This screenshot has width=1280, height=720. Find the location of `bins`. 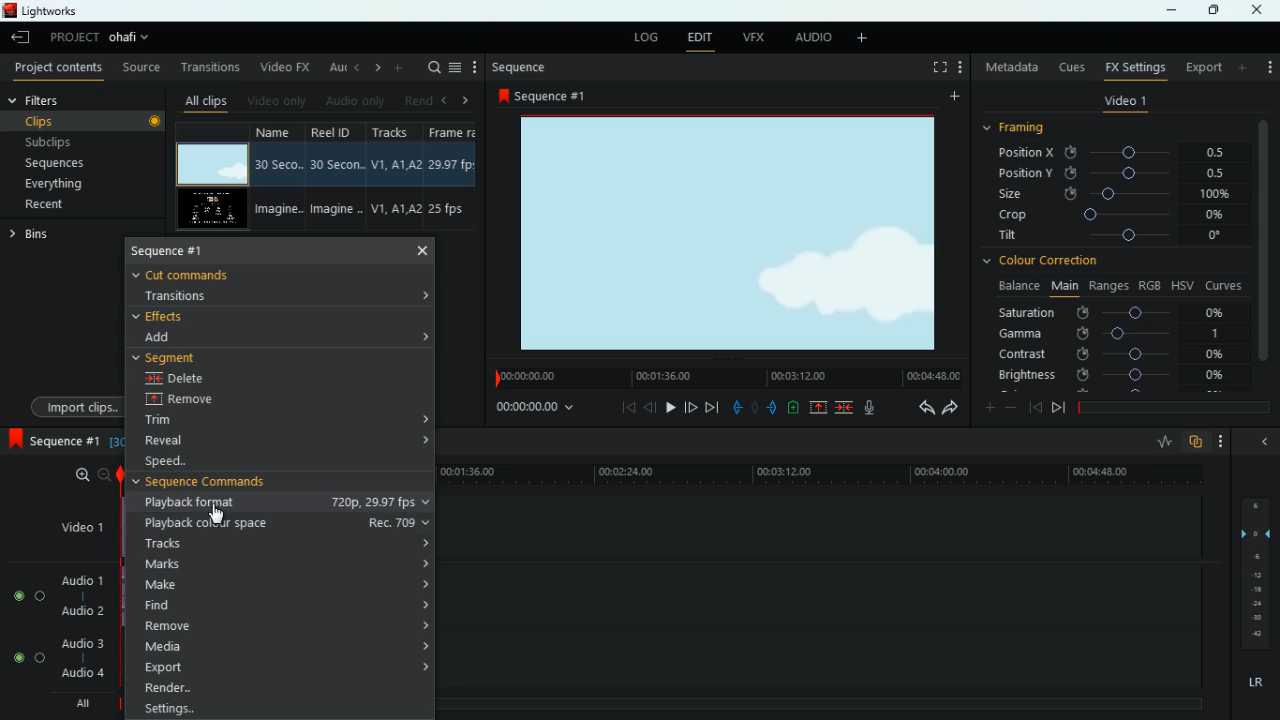

bins is located at coordinates (36, 237).